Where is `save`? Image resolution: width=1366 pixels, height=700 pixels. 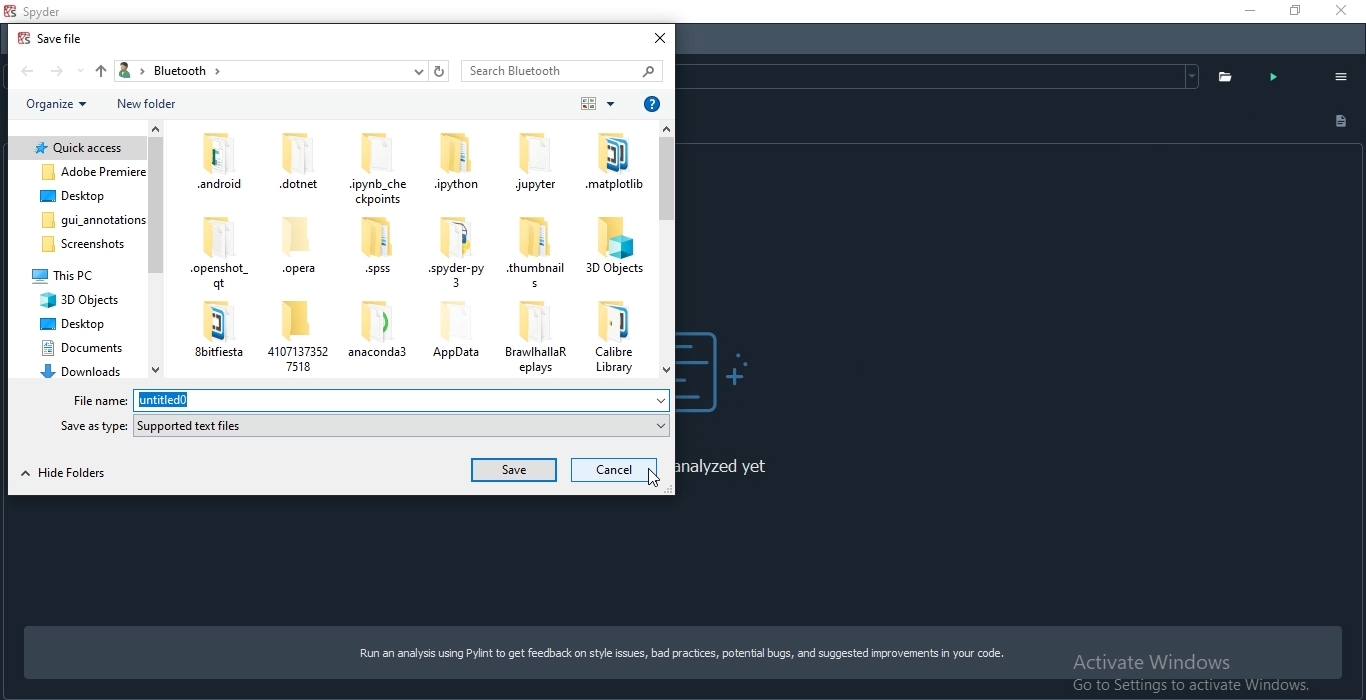 save is located at coordinates (514, 470).